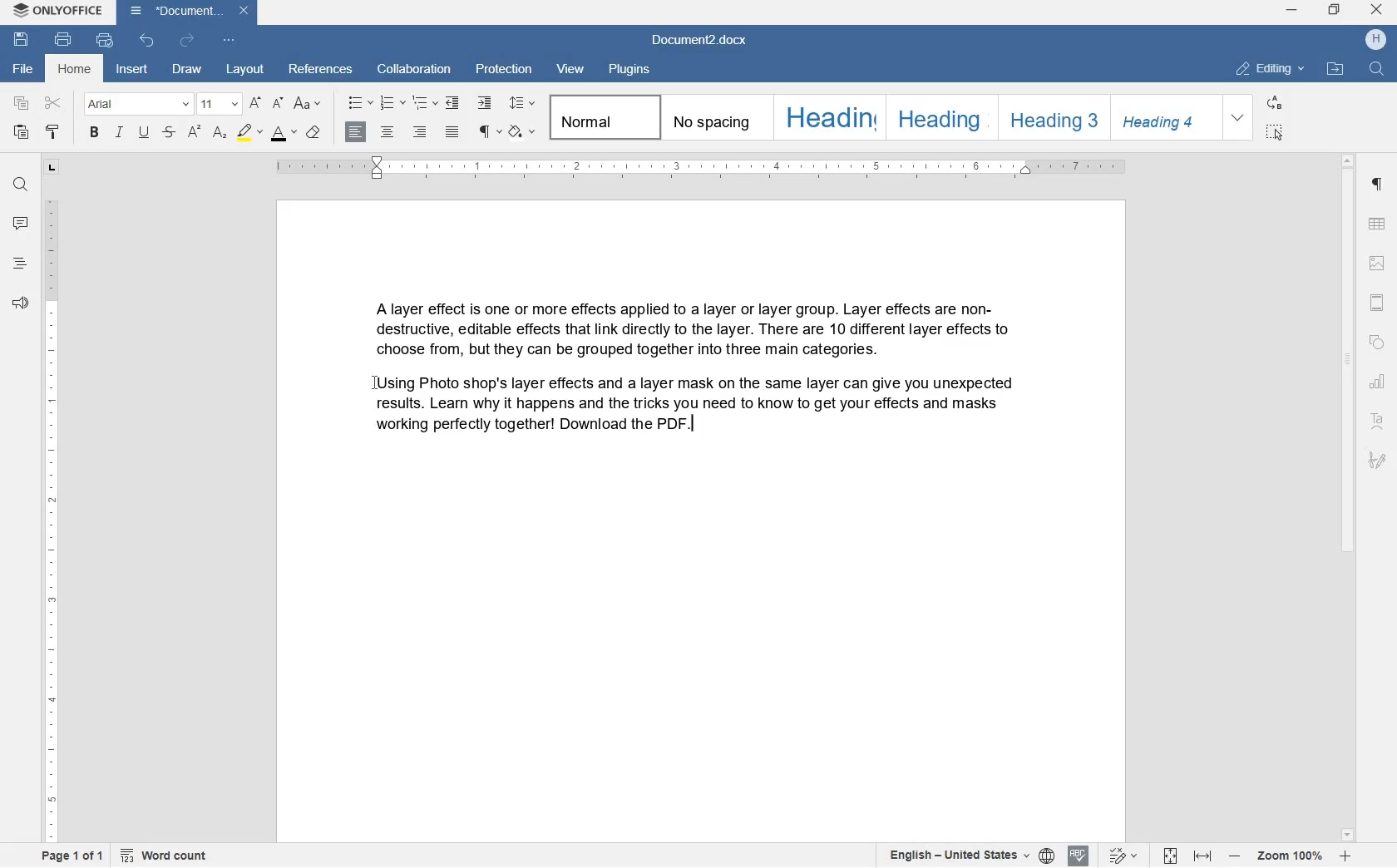 The height and width of the screenshot is (868, 1397). Describe the element at coordinates (279, 102) in the screenshot. I see `DECREMENT FONT SIZE` at that location.